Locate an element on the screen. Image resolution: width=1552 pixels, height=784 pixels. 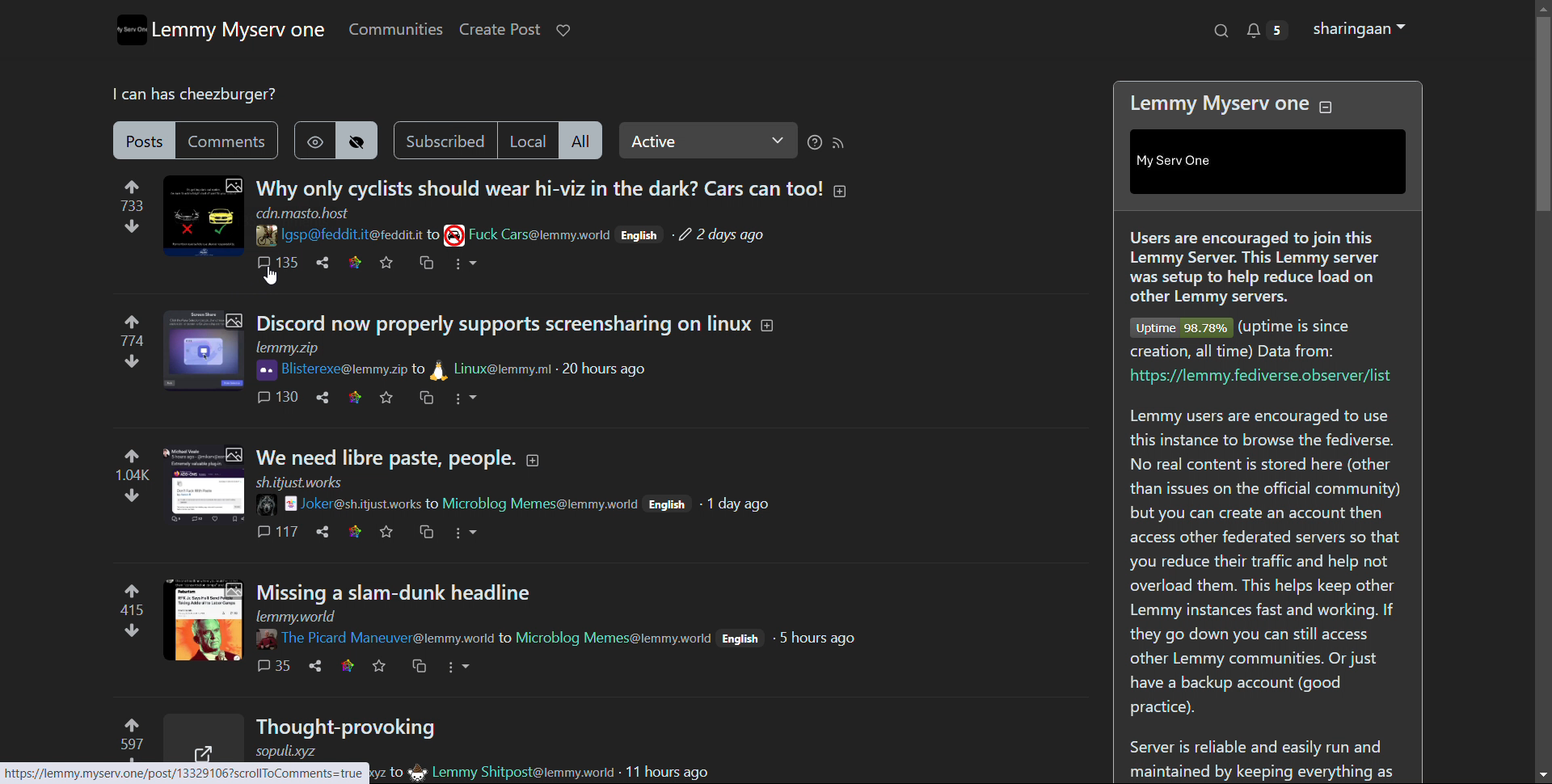
sorting help is located at coordinates (814, 142).